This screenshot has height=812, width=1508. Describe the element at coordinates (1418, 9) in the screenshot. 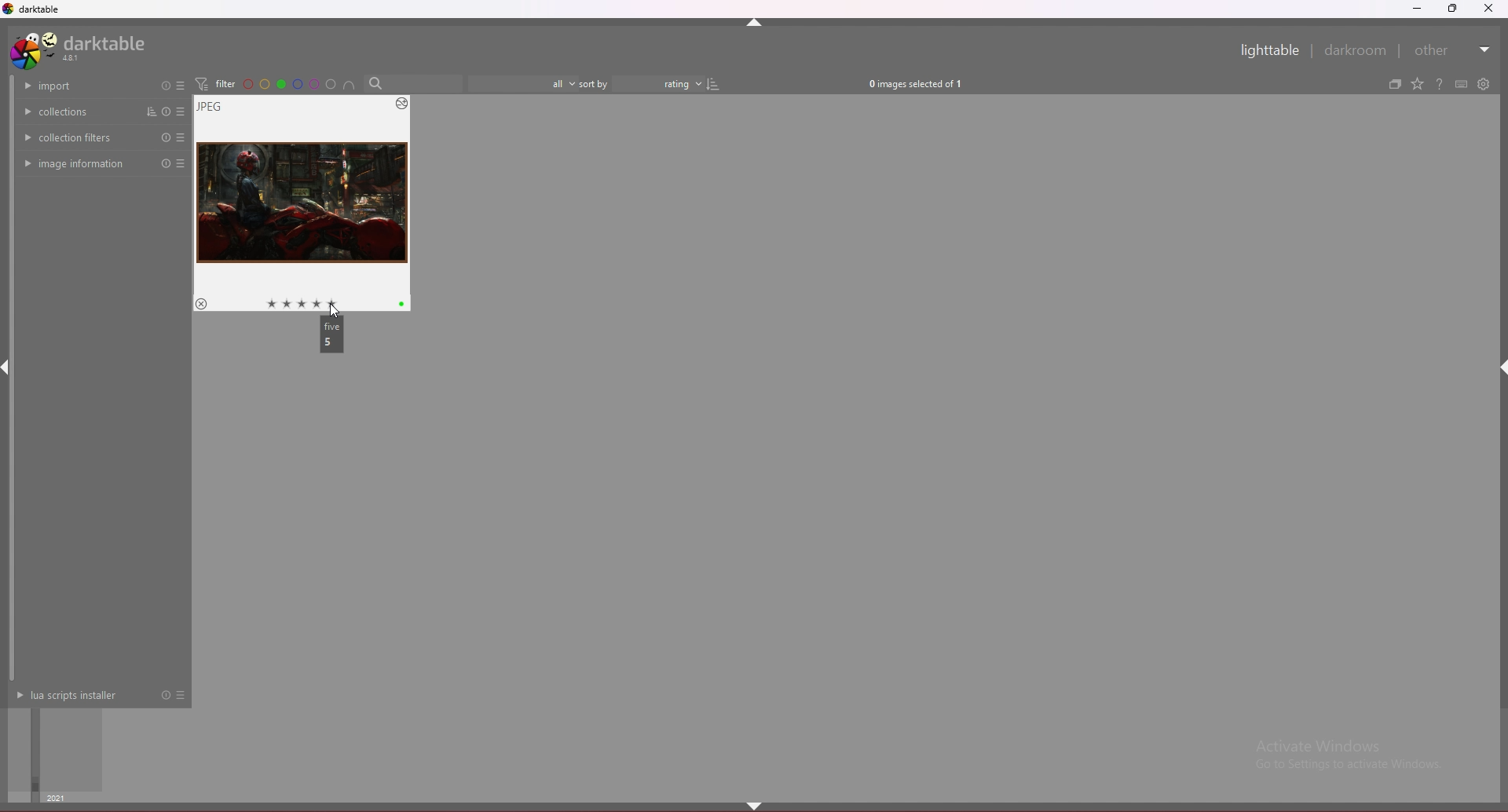

I see `minimize` at that location.